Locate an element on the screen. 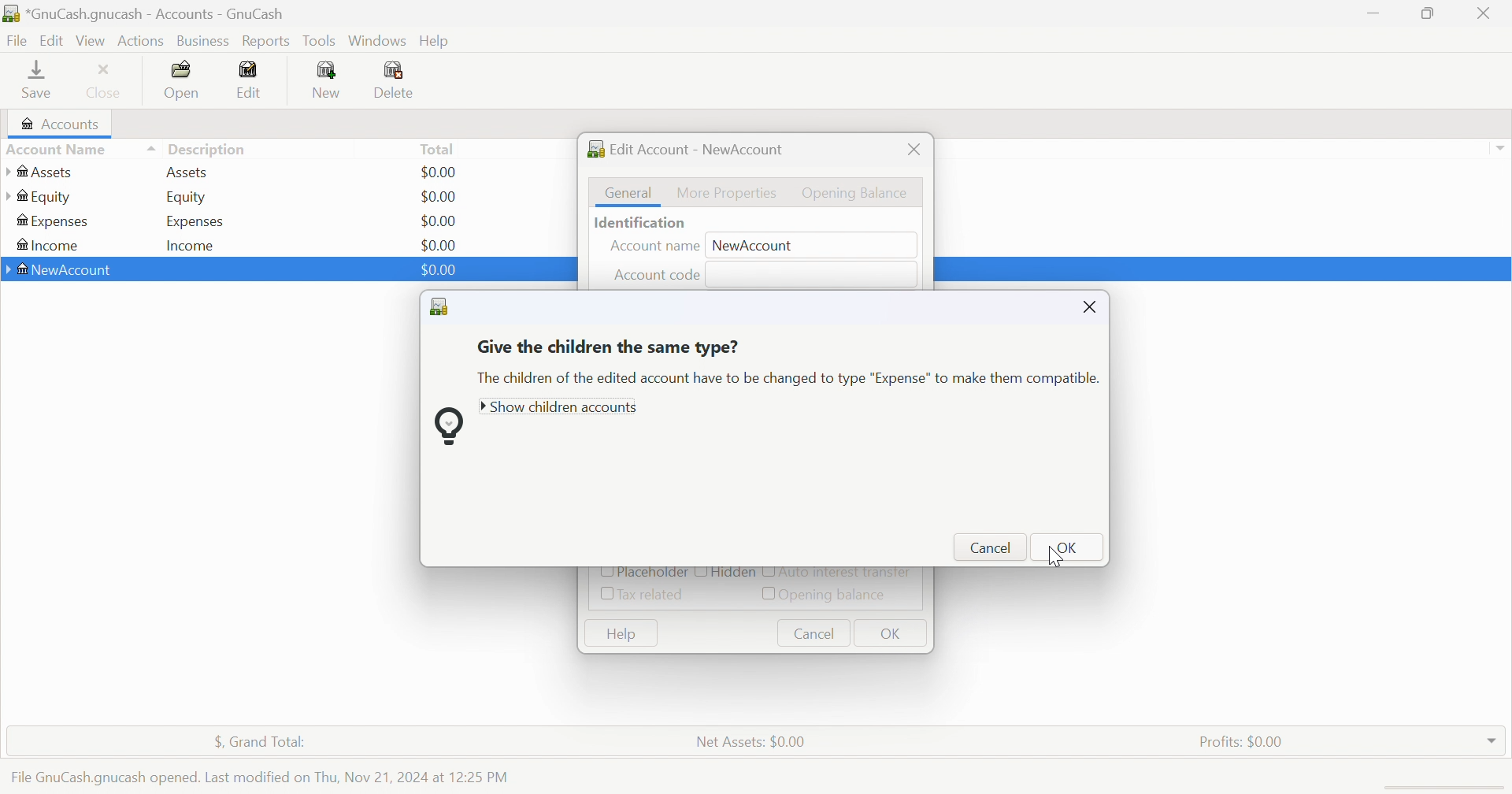  checkbox is located at coordinates (768, 573).